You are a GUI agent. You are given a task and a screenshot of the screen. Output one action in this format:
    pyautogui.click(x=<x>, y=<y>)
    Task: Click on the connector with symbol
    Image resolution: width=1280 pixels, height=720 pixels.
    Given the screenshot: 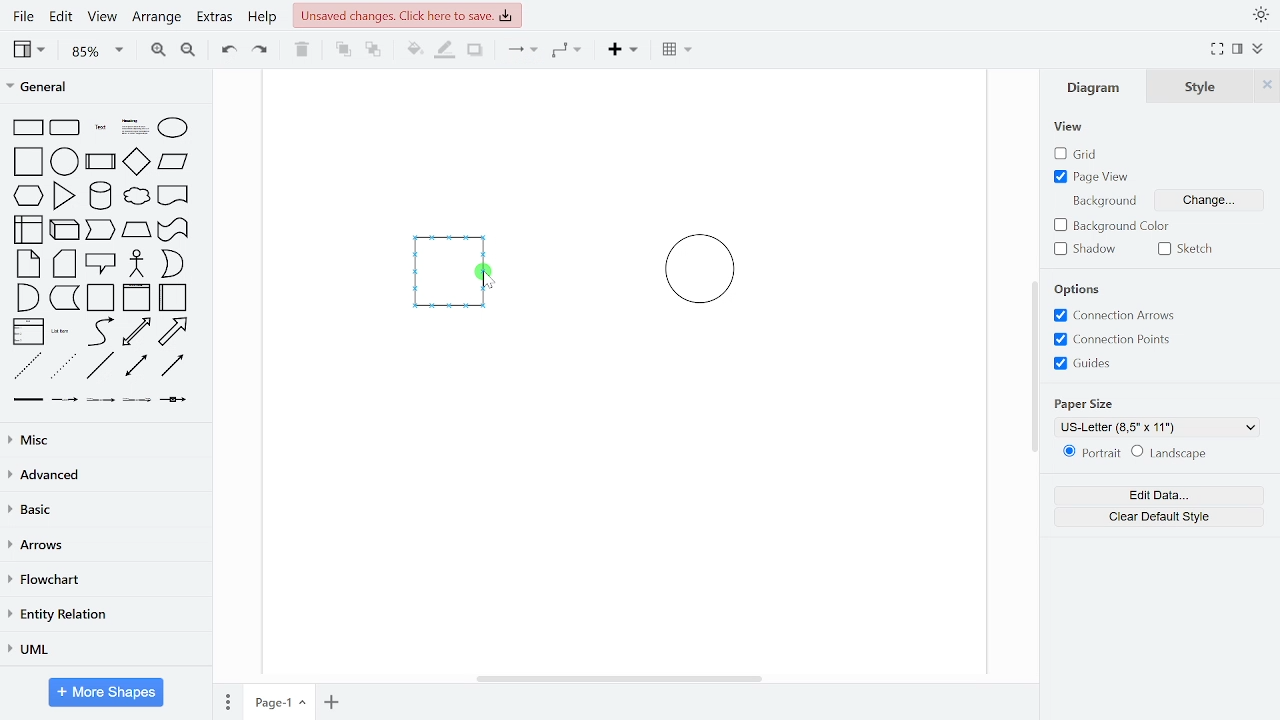 What is the action you would take?
    pyautogui.click(x=176, y=398)
    